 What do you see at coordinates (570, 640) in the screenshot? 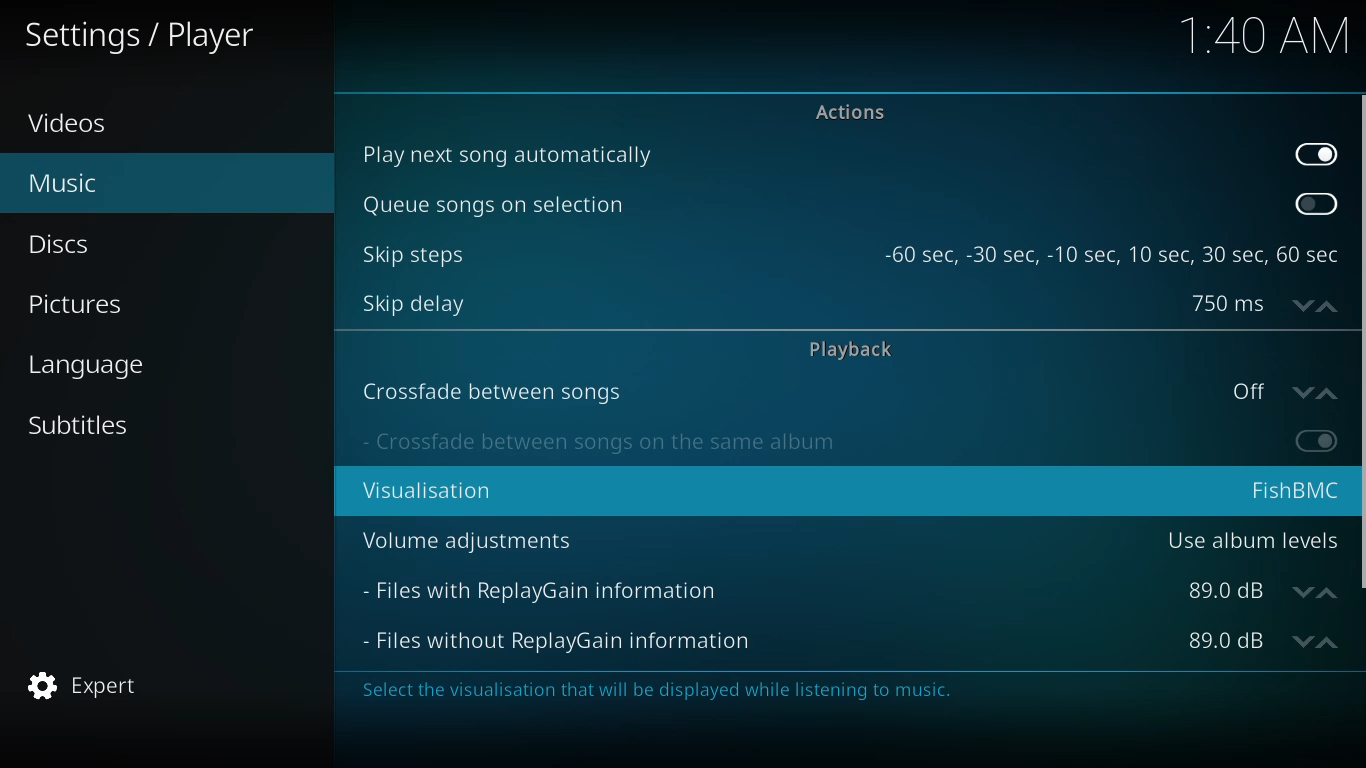
I see `files without replaygain` at bounding box center [570, 640].